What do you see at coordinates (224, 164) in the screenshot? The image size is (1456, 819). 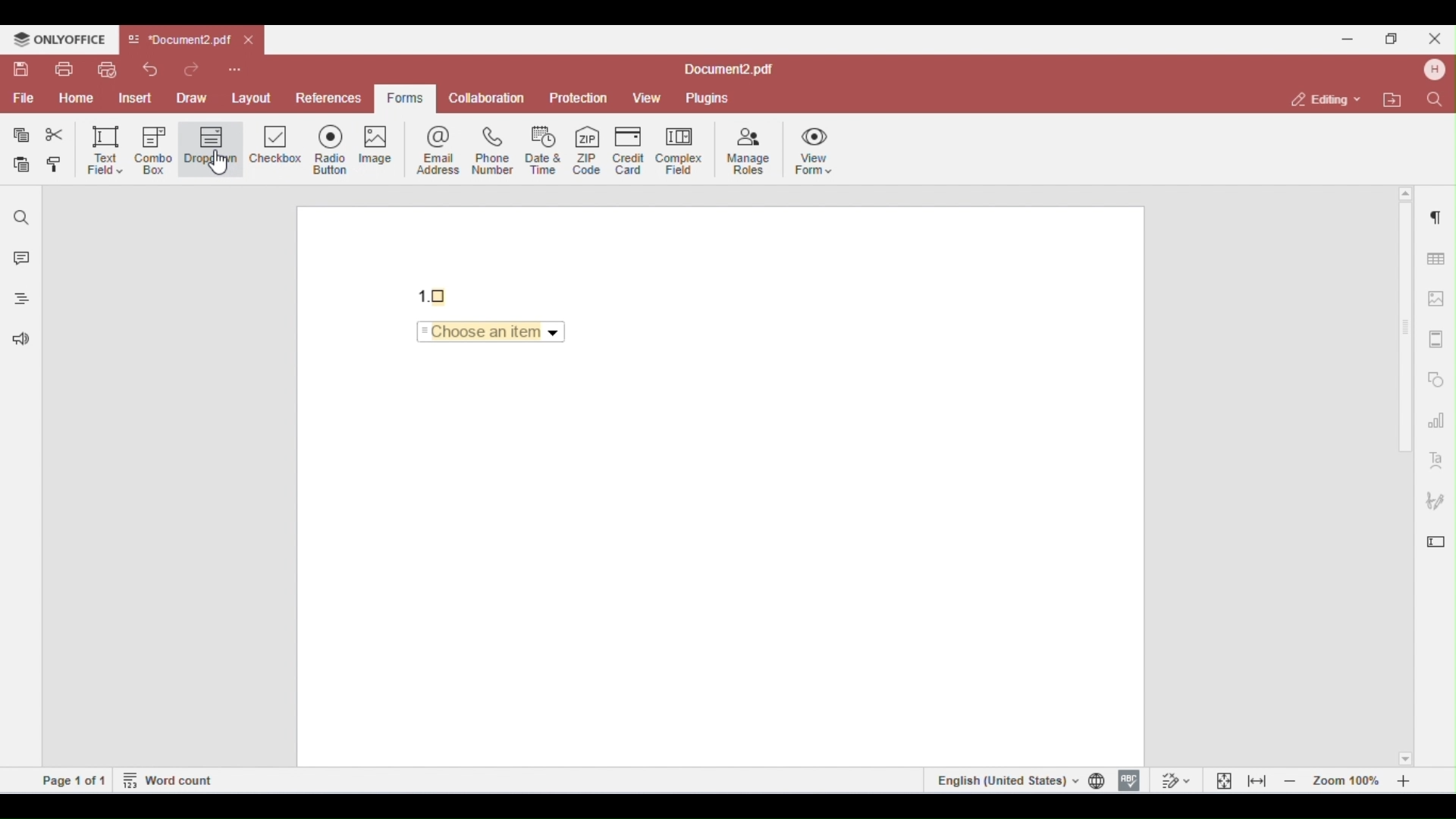 I see `cursor movement` at bounding box center [224, 164].